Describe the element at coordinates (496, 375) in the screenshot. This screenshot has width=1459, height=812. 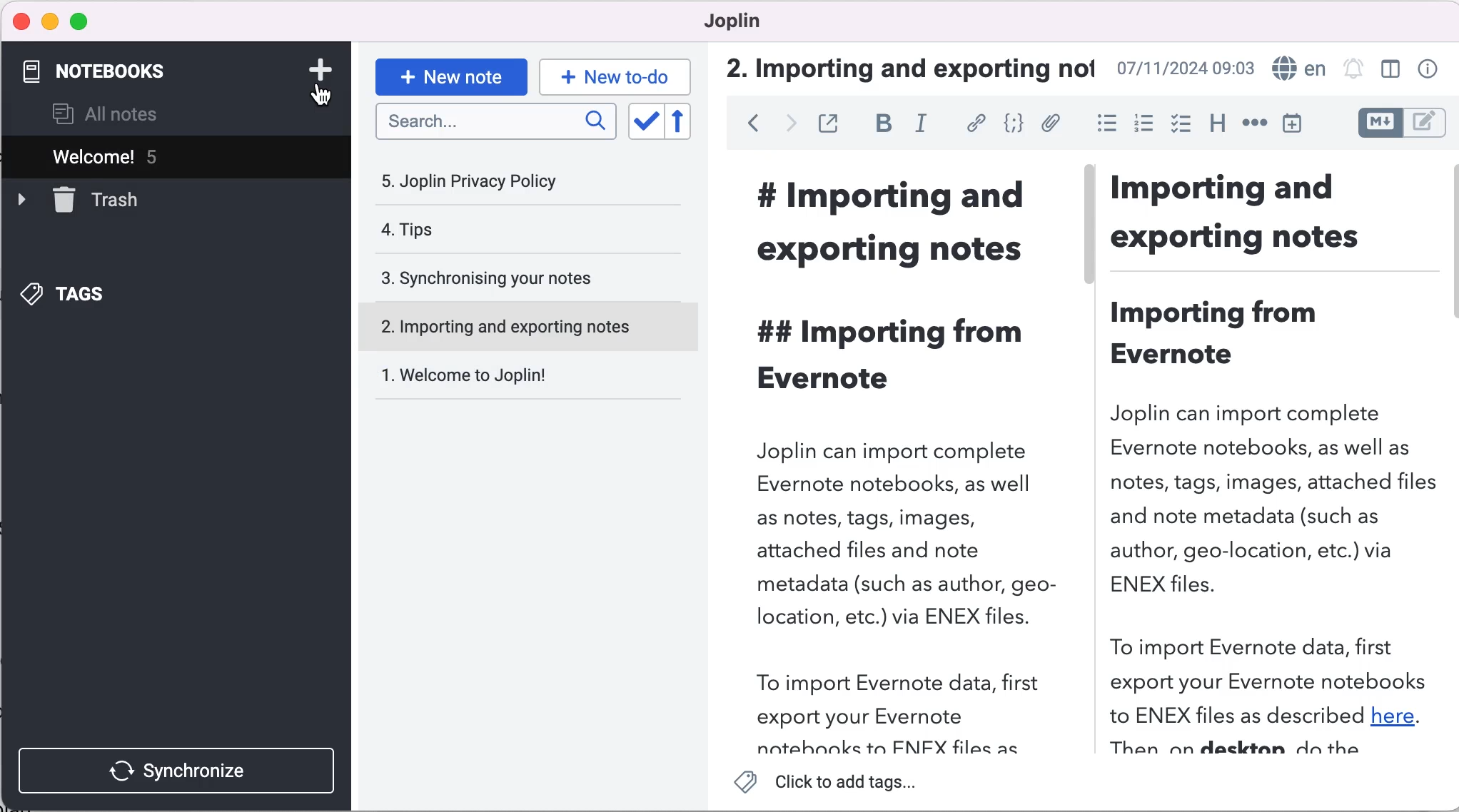
I see `welcome to joplin!` at that location.